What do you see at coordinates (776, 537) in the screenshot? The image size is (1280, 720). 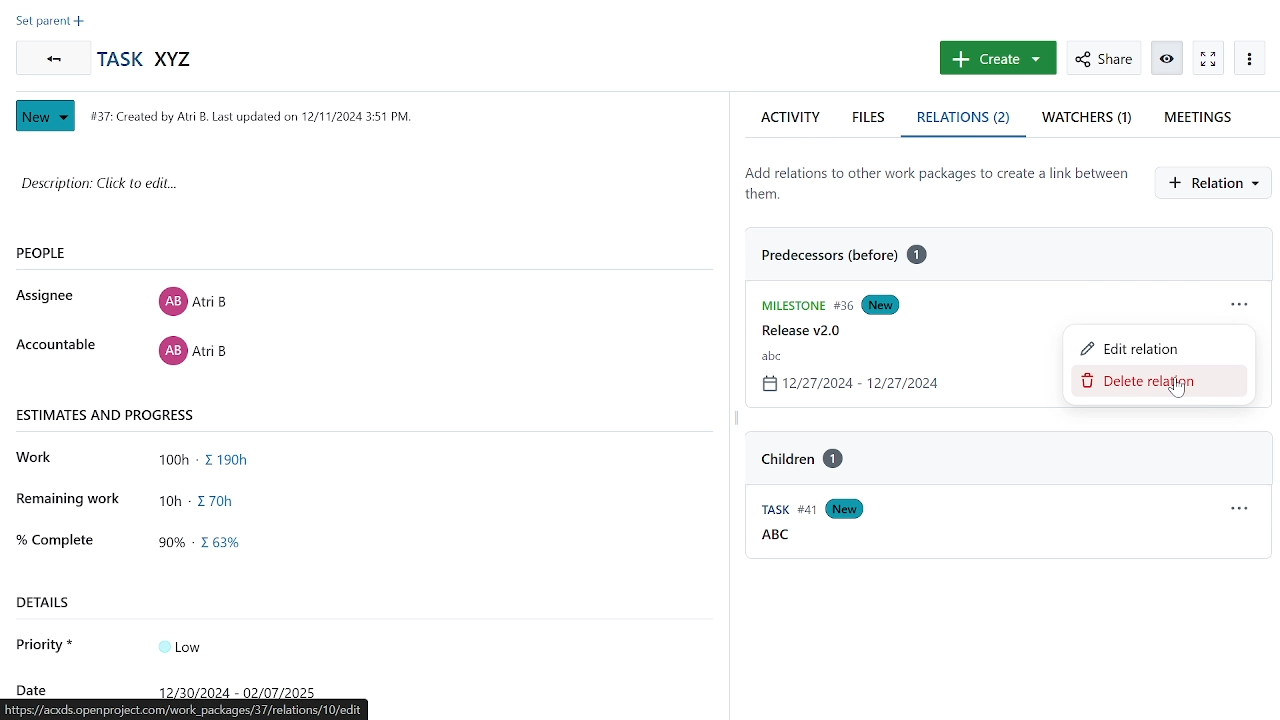 I see `ABC` at bounding box center [776, 537].